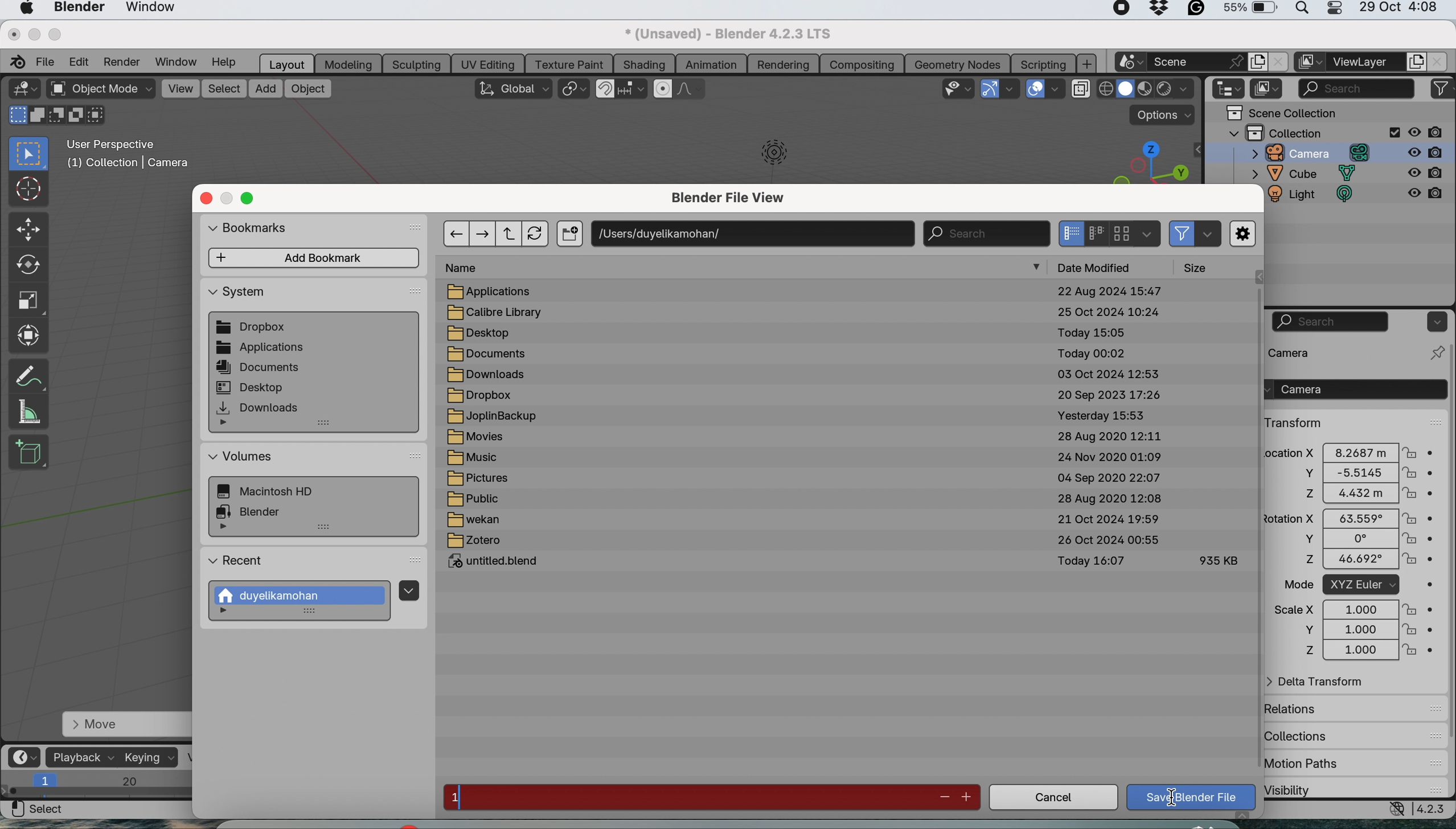  I want to click on grammarly, so click(1196, 11).